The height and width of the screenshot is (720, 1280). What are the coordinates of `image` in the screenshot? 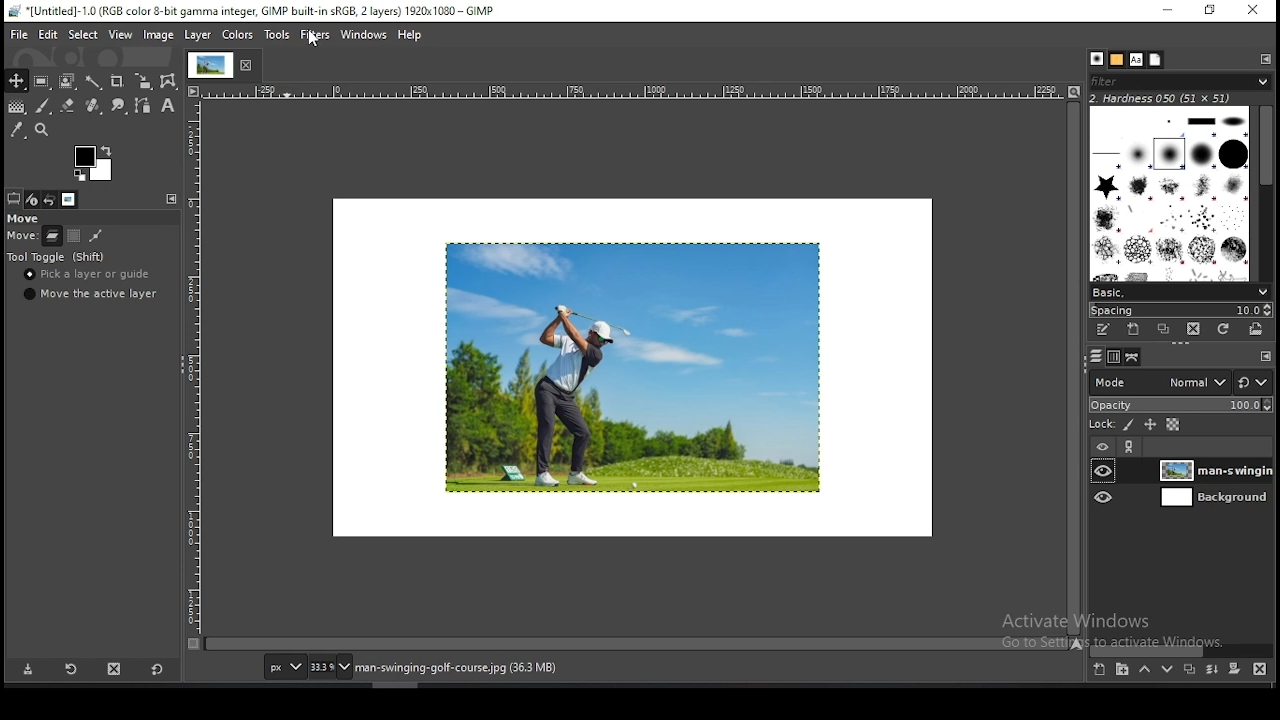 It's located at (636, 367).